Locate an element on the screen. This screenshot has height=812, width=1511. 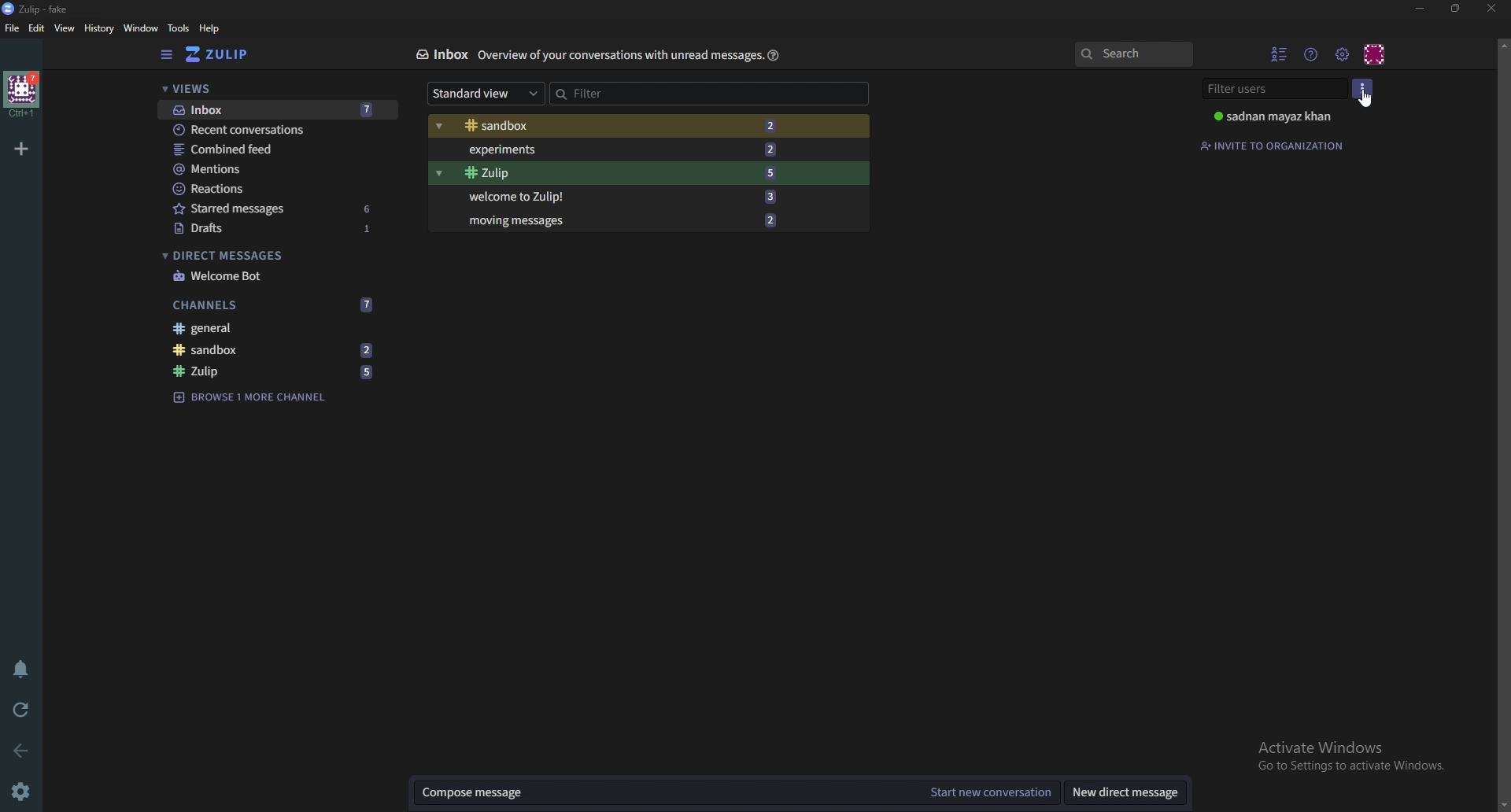
Help is located at coordinates (774, 55).